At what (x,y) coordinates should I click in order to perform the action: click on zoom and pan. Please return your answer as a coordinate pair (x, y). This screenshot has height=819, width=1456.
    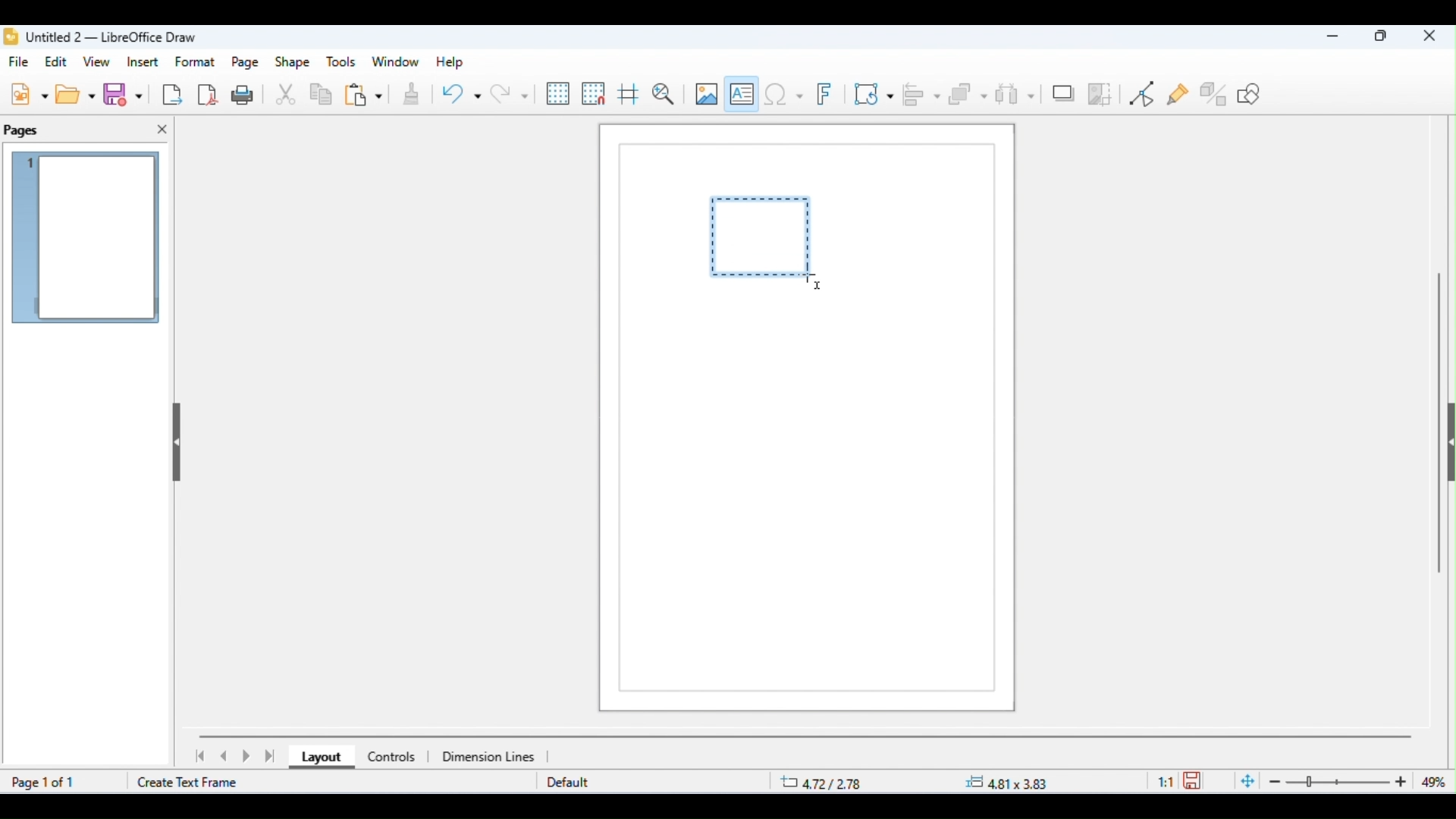
    Looking at the image, I should click on (664, 94).